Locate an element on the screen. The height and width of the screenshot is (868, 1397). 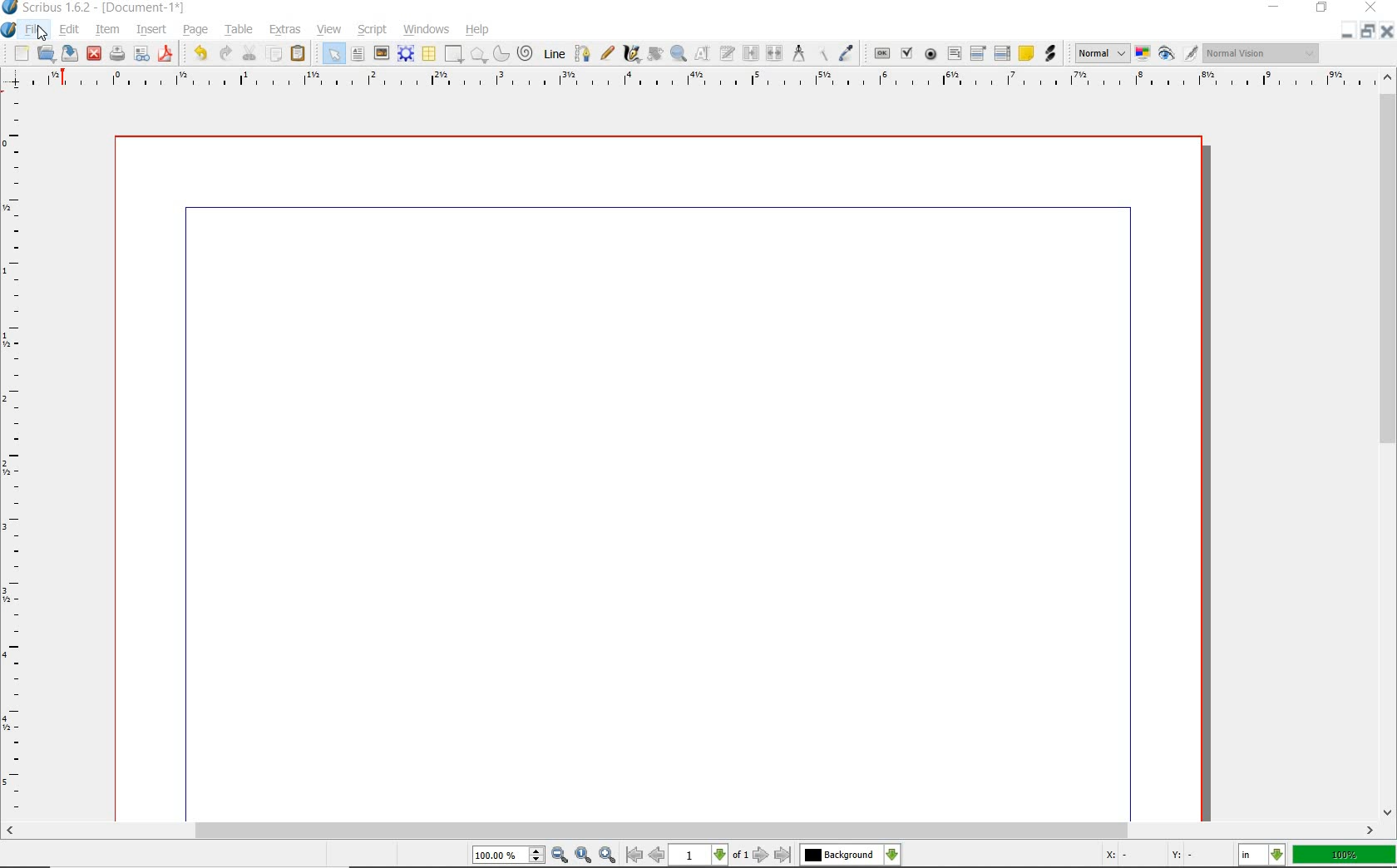
pdf radio button is located at coordinates (931, 55).